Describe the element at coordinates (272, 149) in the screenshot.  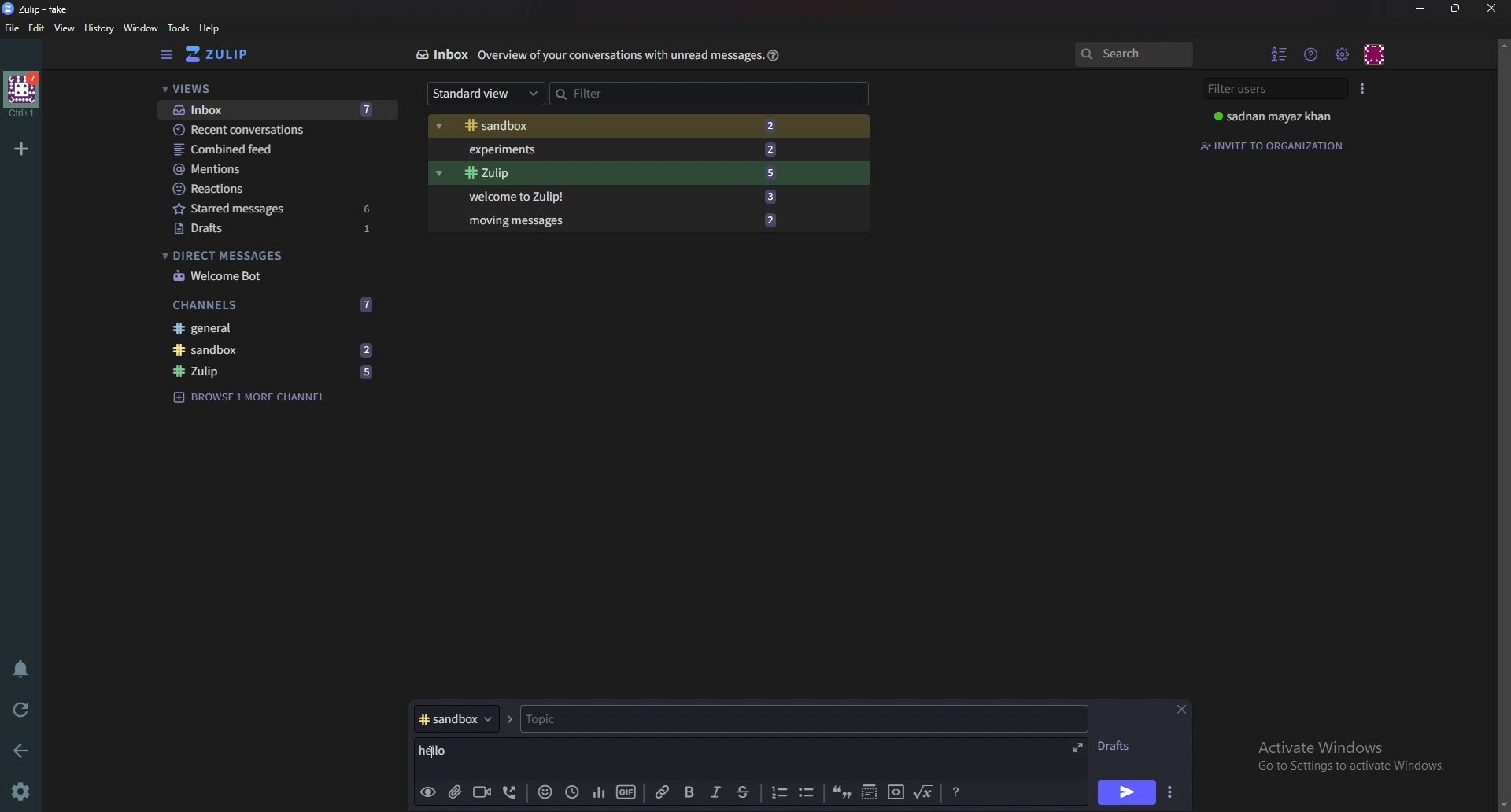
I see `Combined feed` at that location.